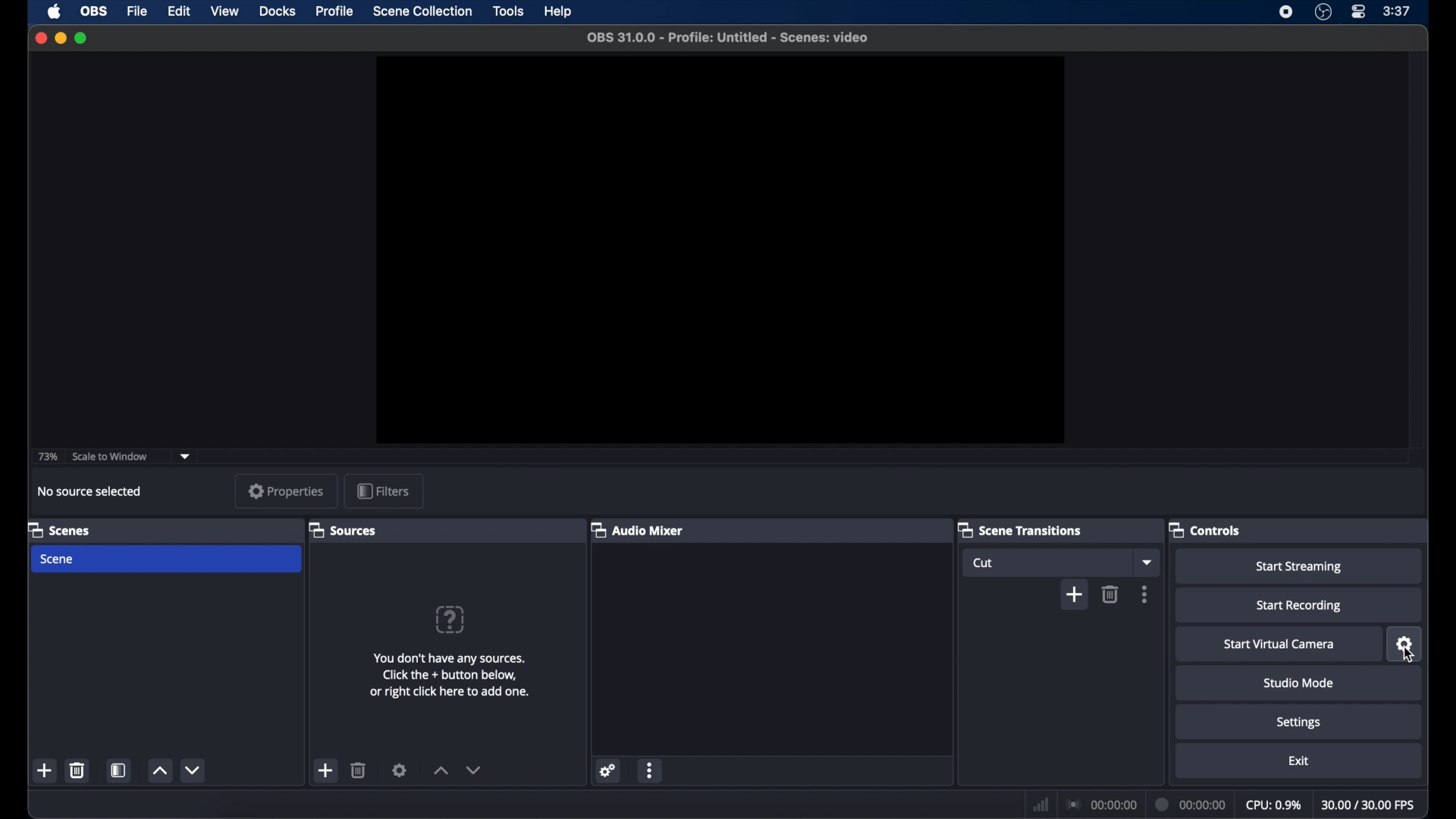 The width and height of the screenshot is (1456, 819). I want to click on preview, so click(720, 249).